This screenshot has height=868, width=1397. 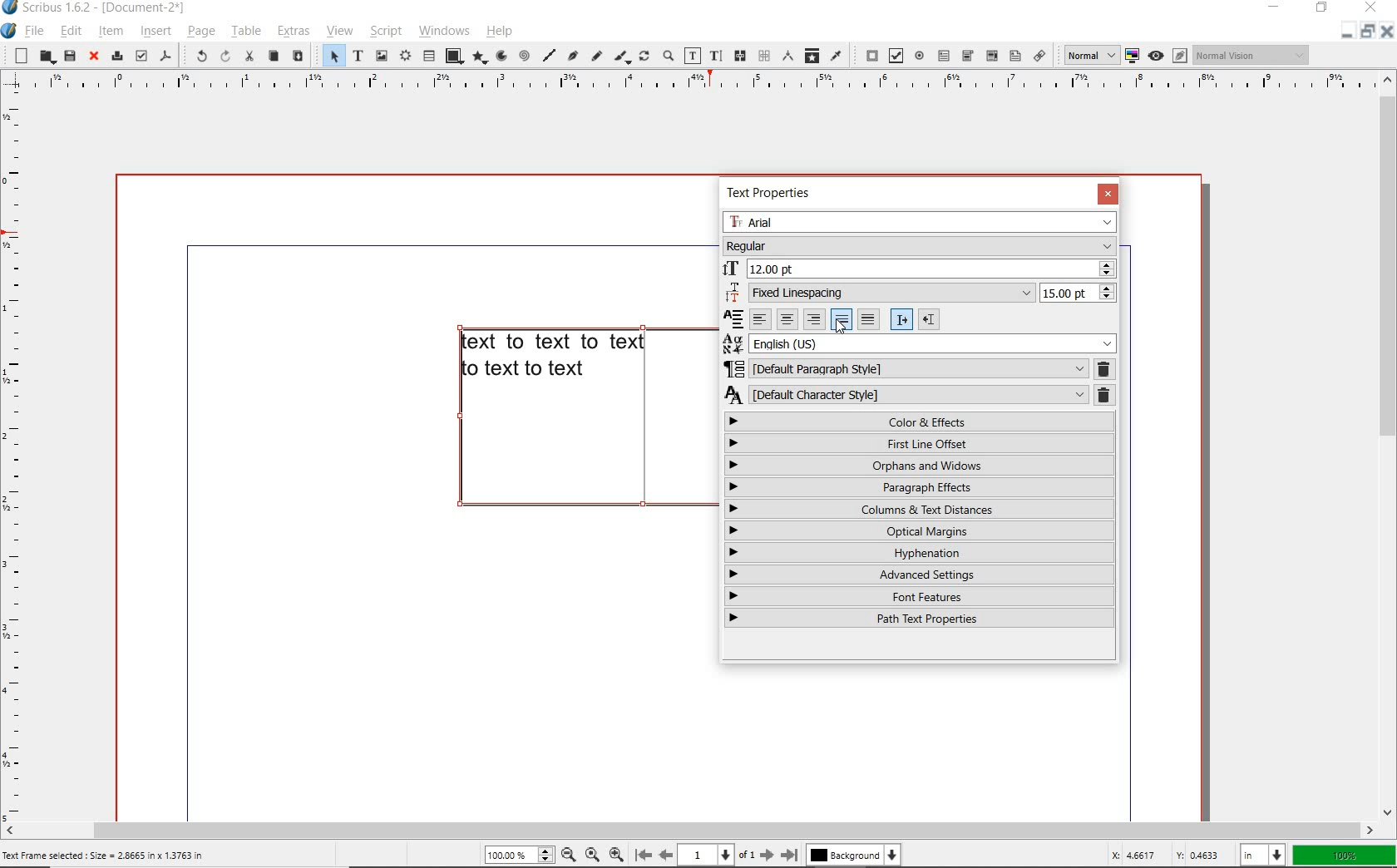 What do you see at coordinates (921, 530) in the screenshot?
I see `OPTICAL MARGINS` at bounding box center [921, 530].